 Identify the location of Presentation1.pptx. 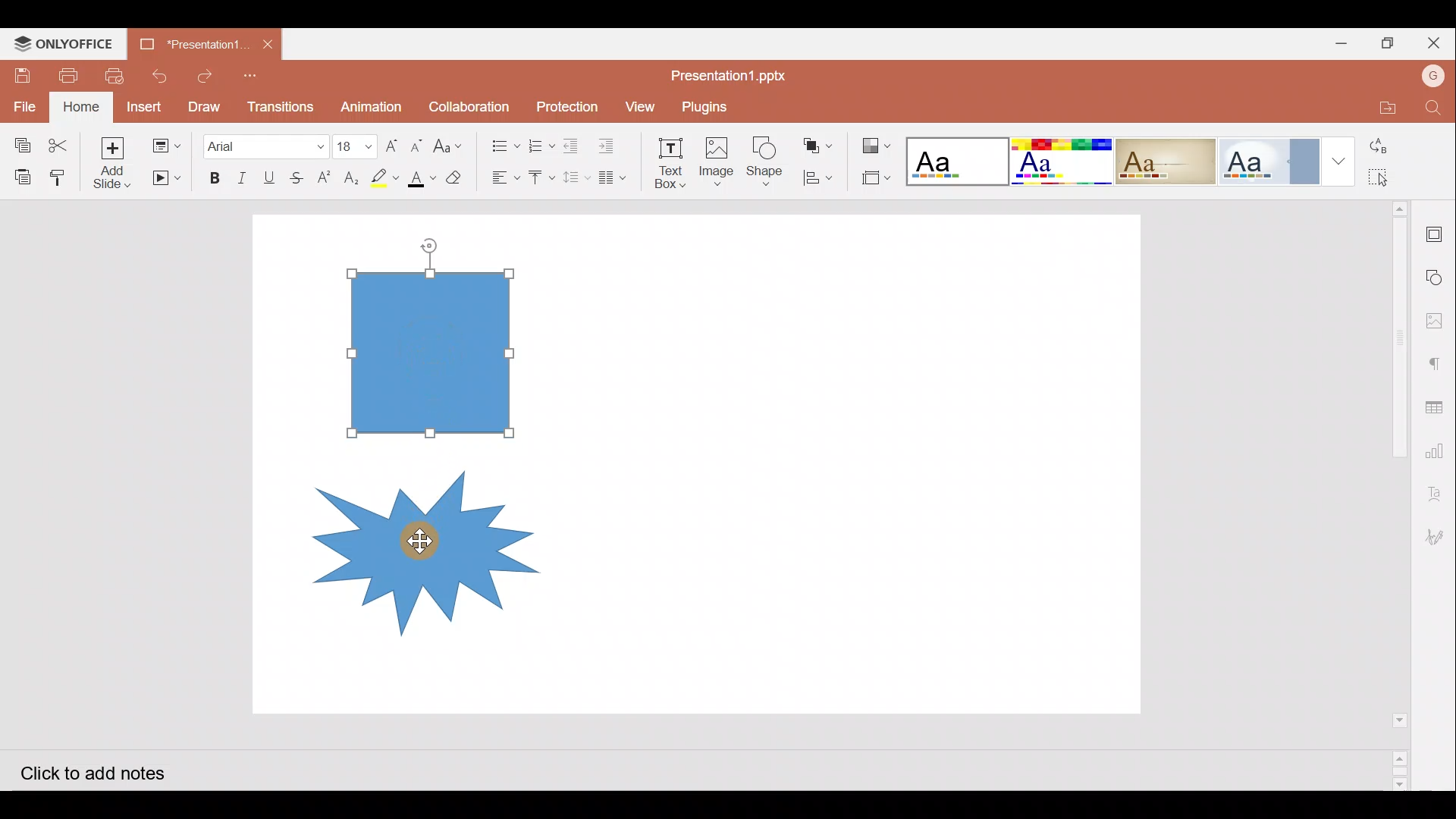
(733, 75).